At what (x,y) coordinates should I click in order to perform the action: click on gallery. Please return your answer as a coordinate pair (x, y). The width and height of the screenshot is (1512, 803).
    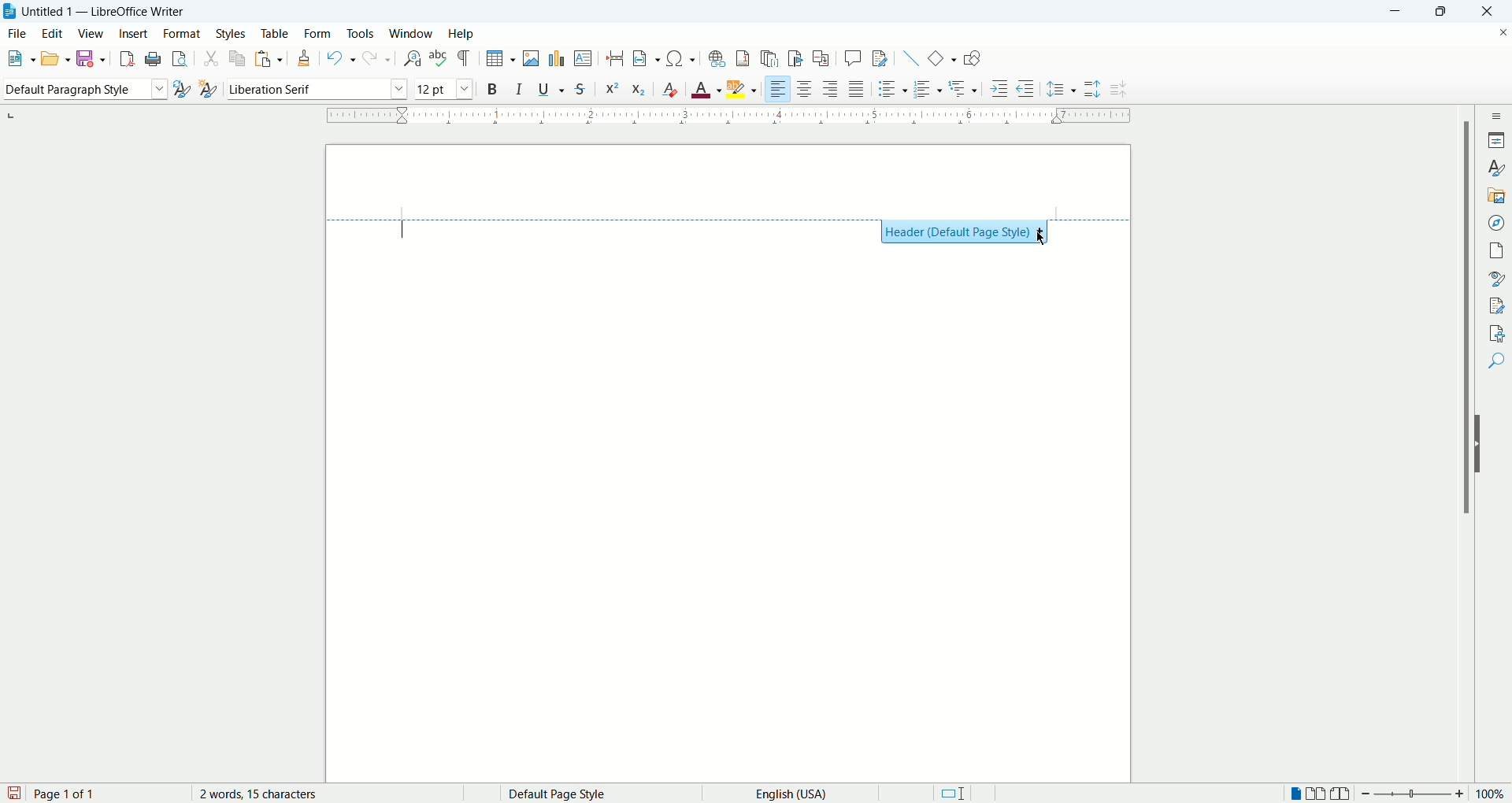
    Looking at the image, I should click on (1496, 196).